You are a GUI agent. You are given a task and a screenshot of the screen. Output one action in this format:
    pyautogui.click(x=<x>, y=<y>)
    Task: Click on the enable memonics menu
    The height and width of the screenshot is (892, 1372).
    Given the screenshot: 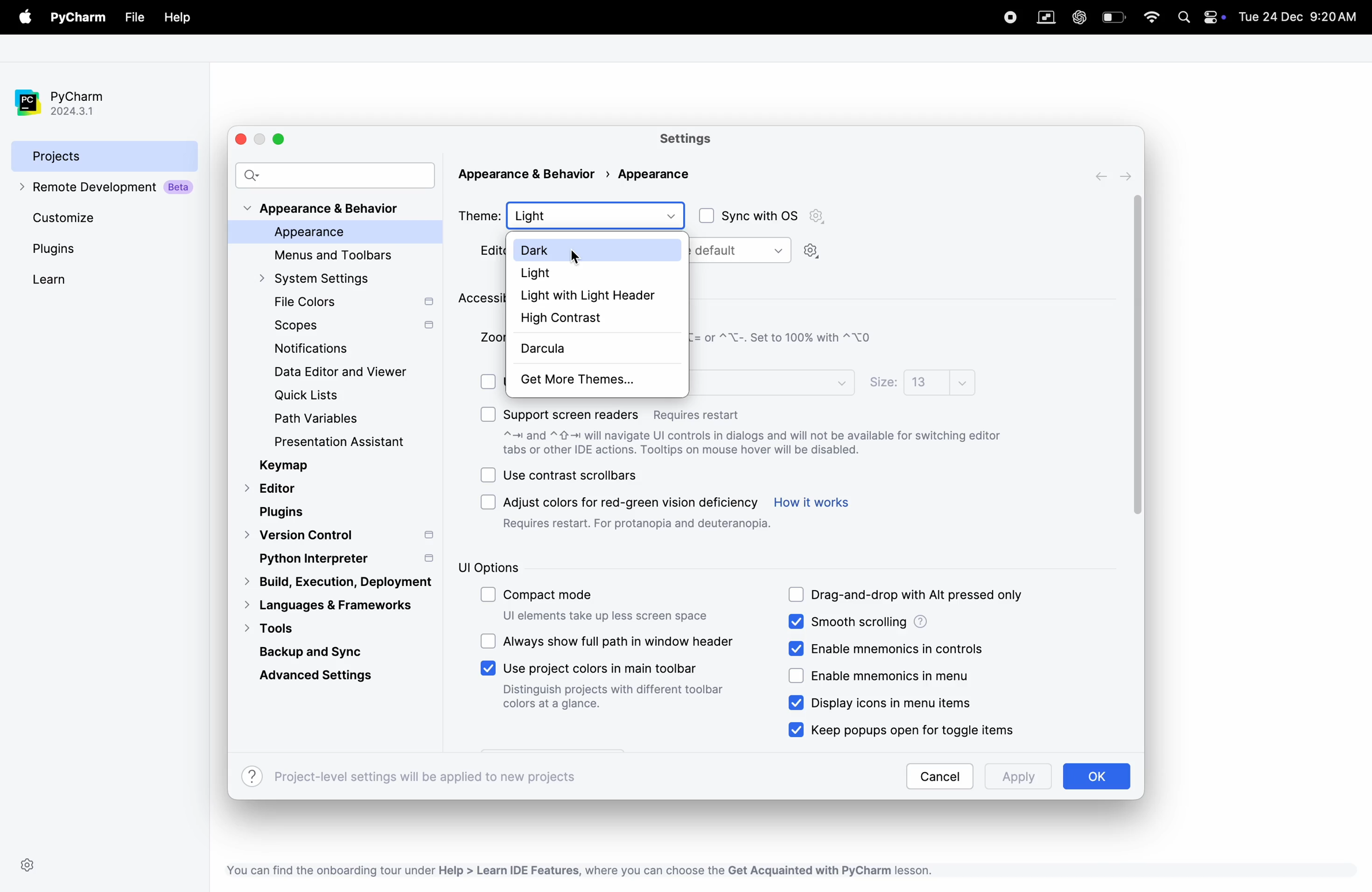 What is the action you would take?
    pyautogui.click(x=898, y=676)
    